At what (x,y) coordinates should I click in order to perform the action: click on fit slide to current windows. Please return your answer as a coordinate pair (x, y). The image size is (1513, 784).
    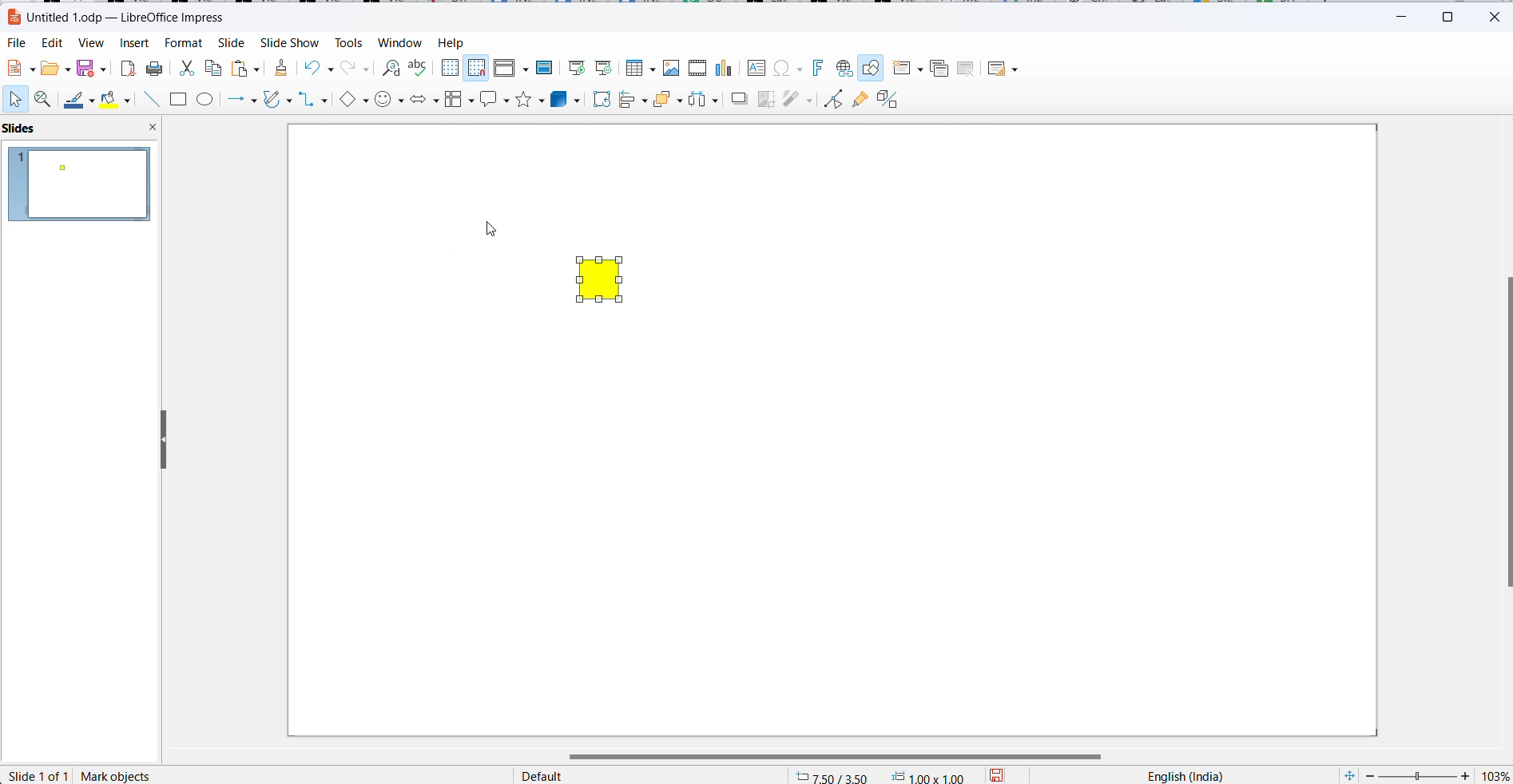
    Looking at the image, I should click on (1347, 775).